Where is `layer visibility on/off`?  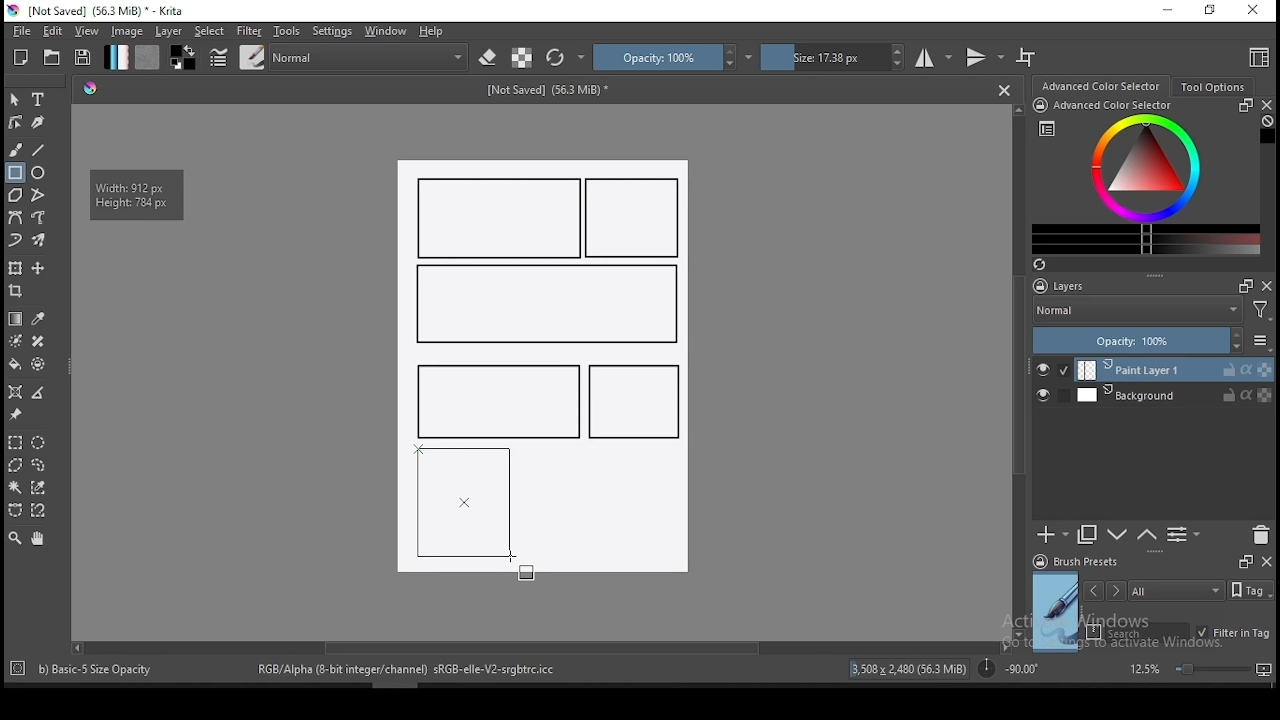
layer visibility on/off is located at coordinates (1053, 370).